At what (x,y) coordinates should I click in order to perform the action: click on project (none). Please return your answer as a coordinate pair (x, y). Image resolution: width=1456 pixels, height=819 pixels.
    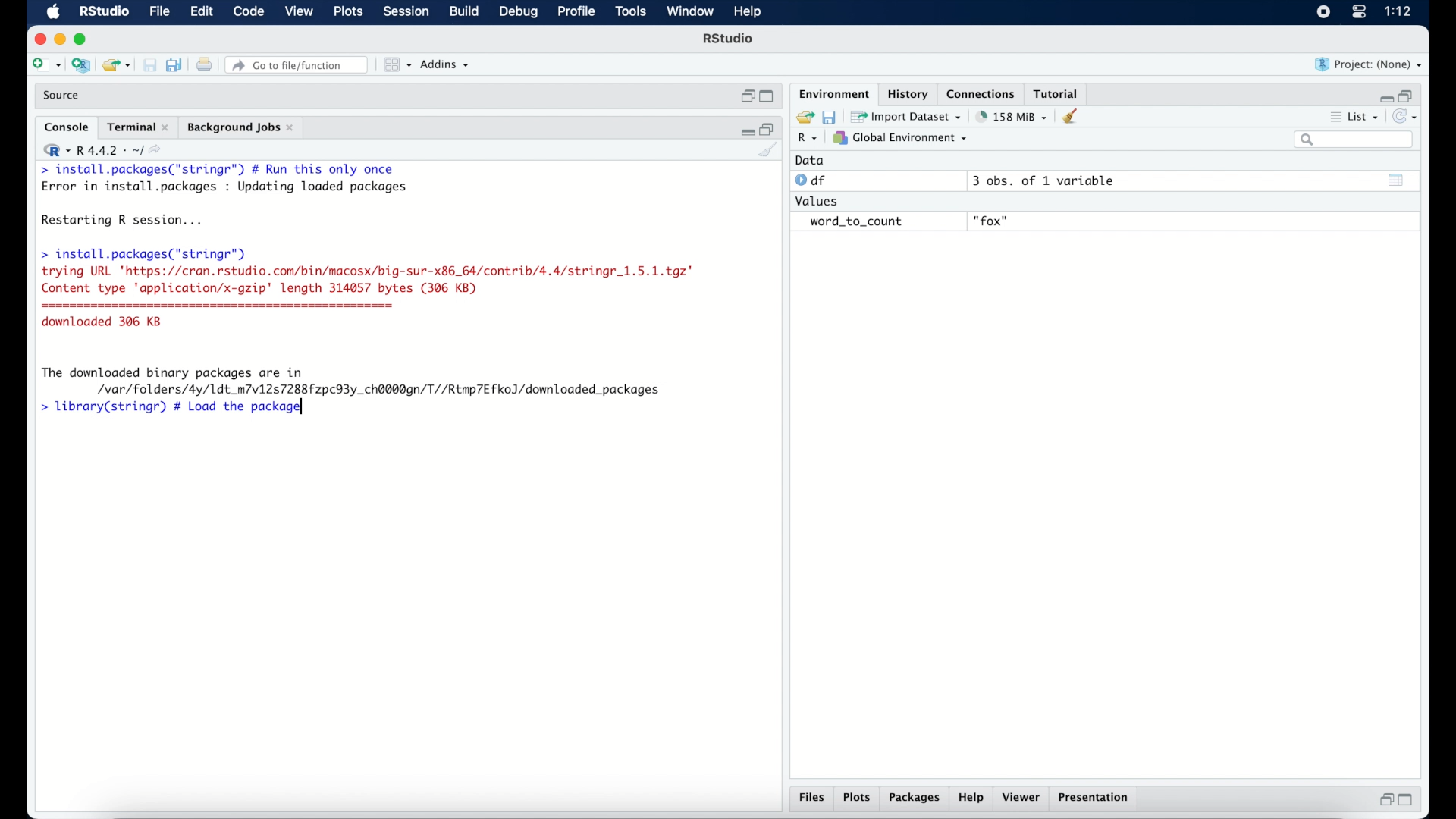
    Looking at the image, I should click on (1369, 64).